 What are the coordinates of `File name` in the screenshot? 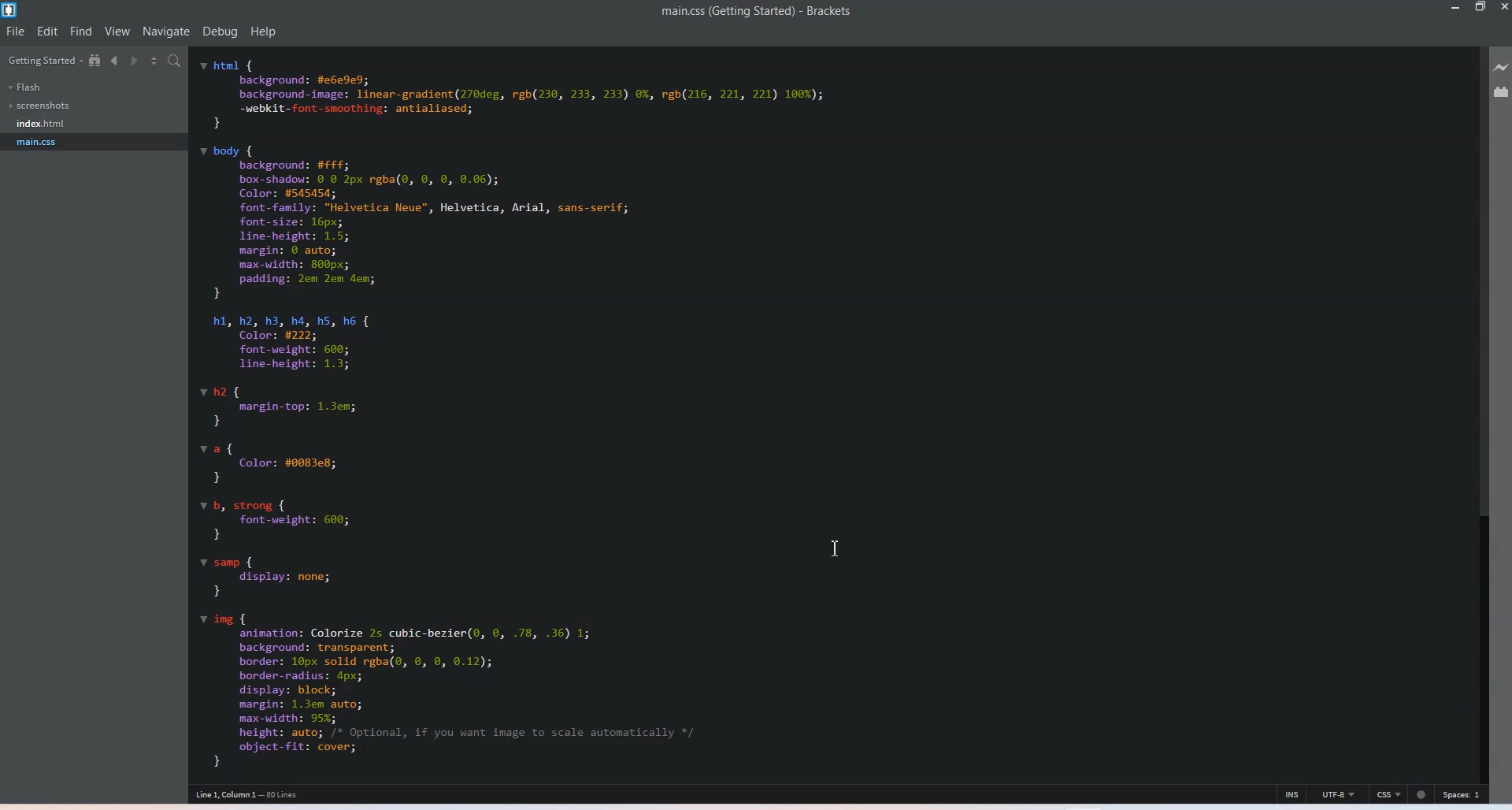 It's located at (757, 12).